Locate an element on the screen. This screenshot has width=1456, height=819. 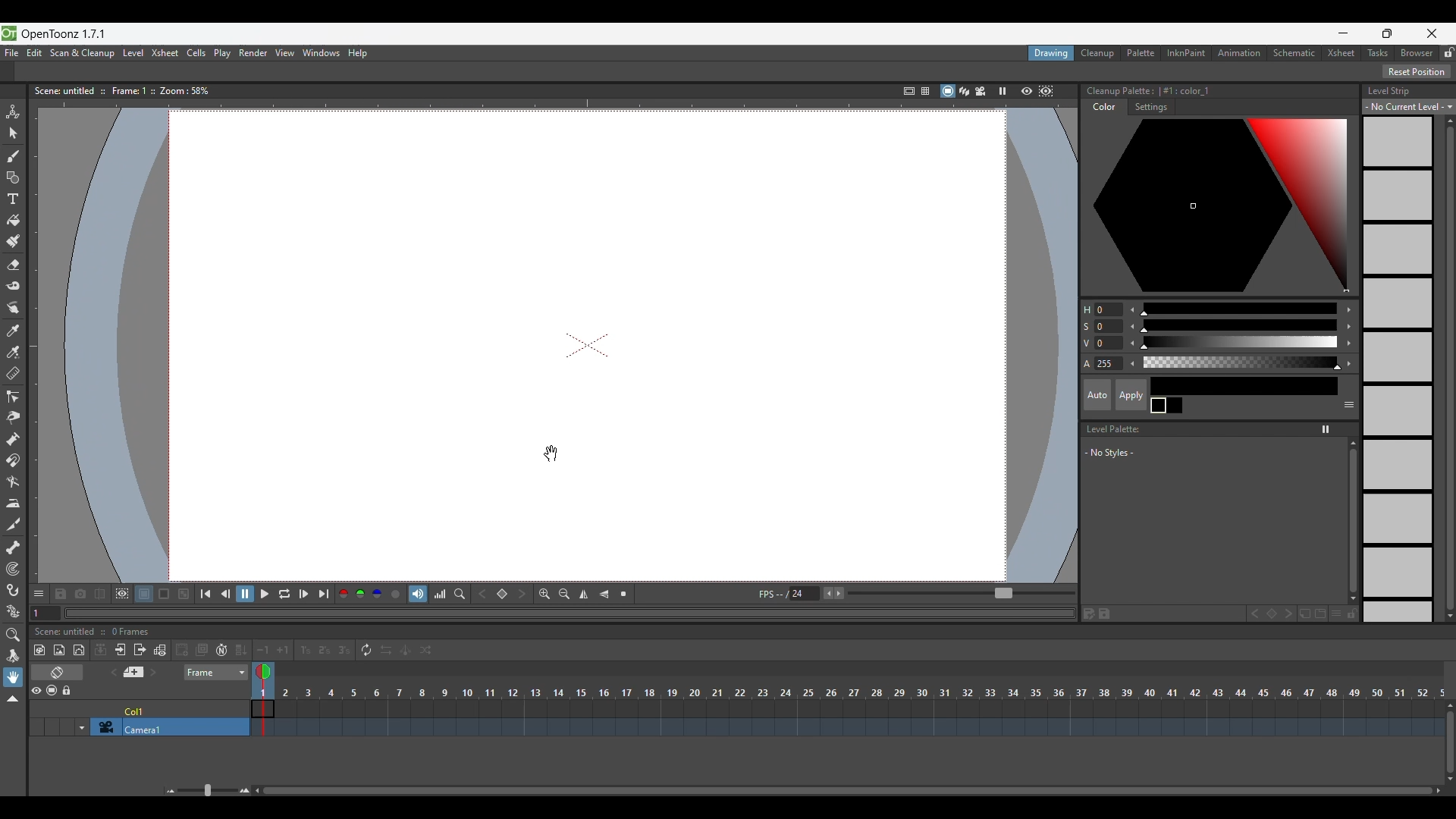
Swing is located at coordinates (406, 650).